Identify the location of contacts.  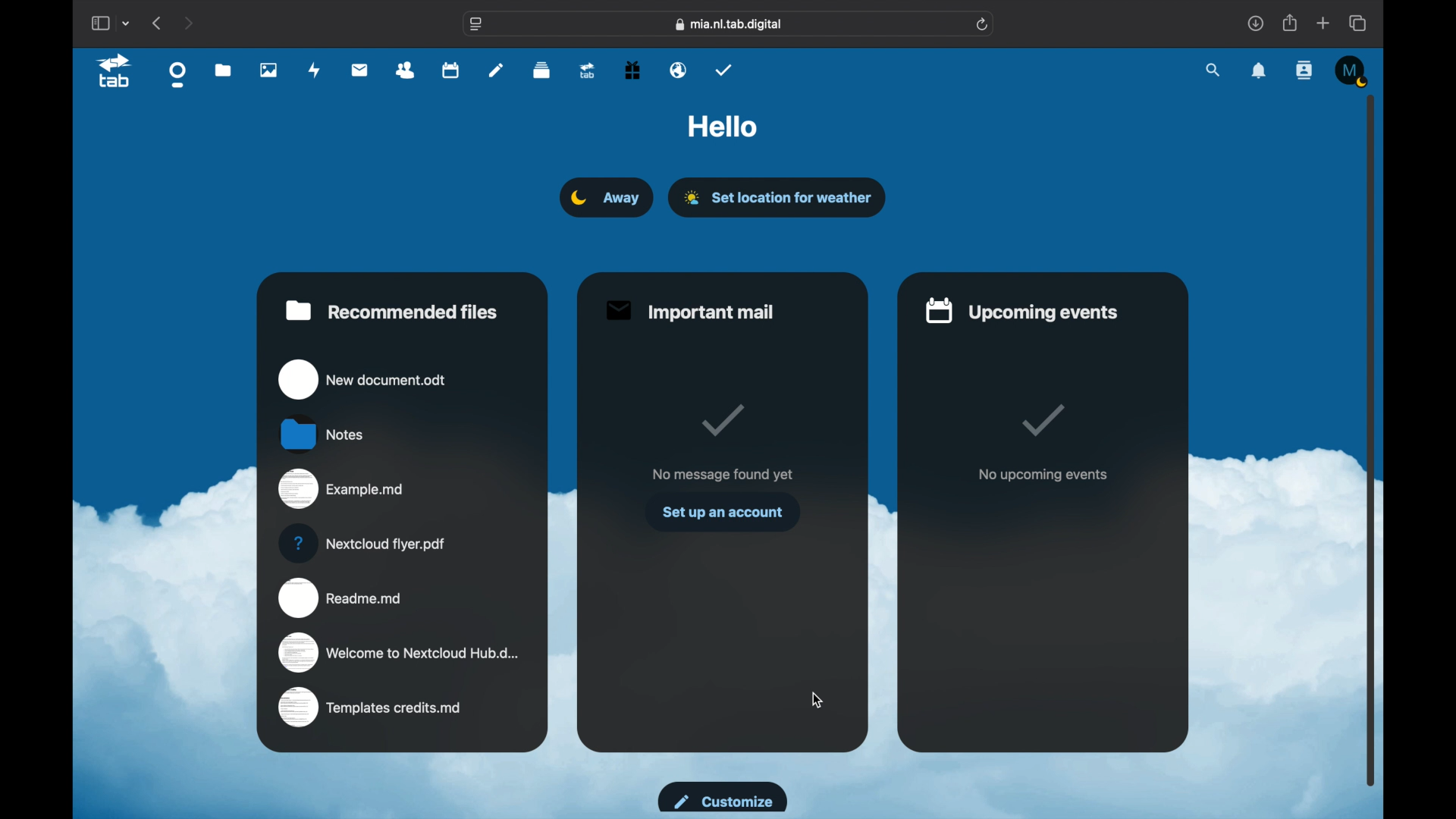
(1305, 70).